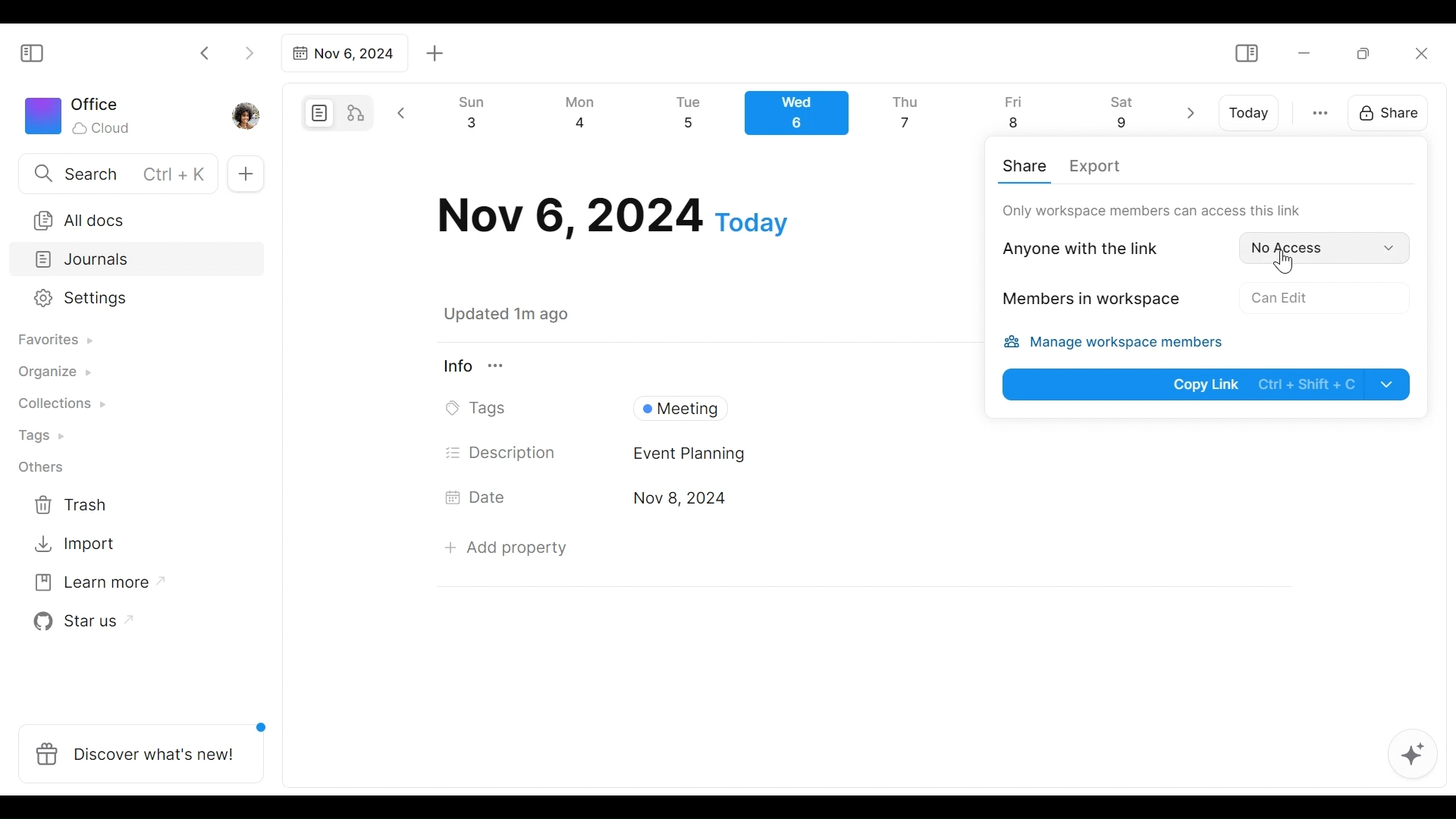 This screenshot has height=819, width=1456. Describe the element at coordinates (1420, 53) in the screenshot. I see `Close` at that location.